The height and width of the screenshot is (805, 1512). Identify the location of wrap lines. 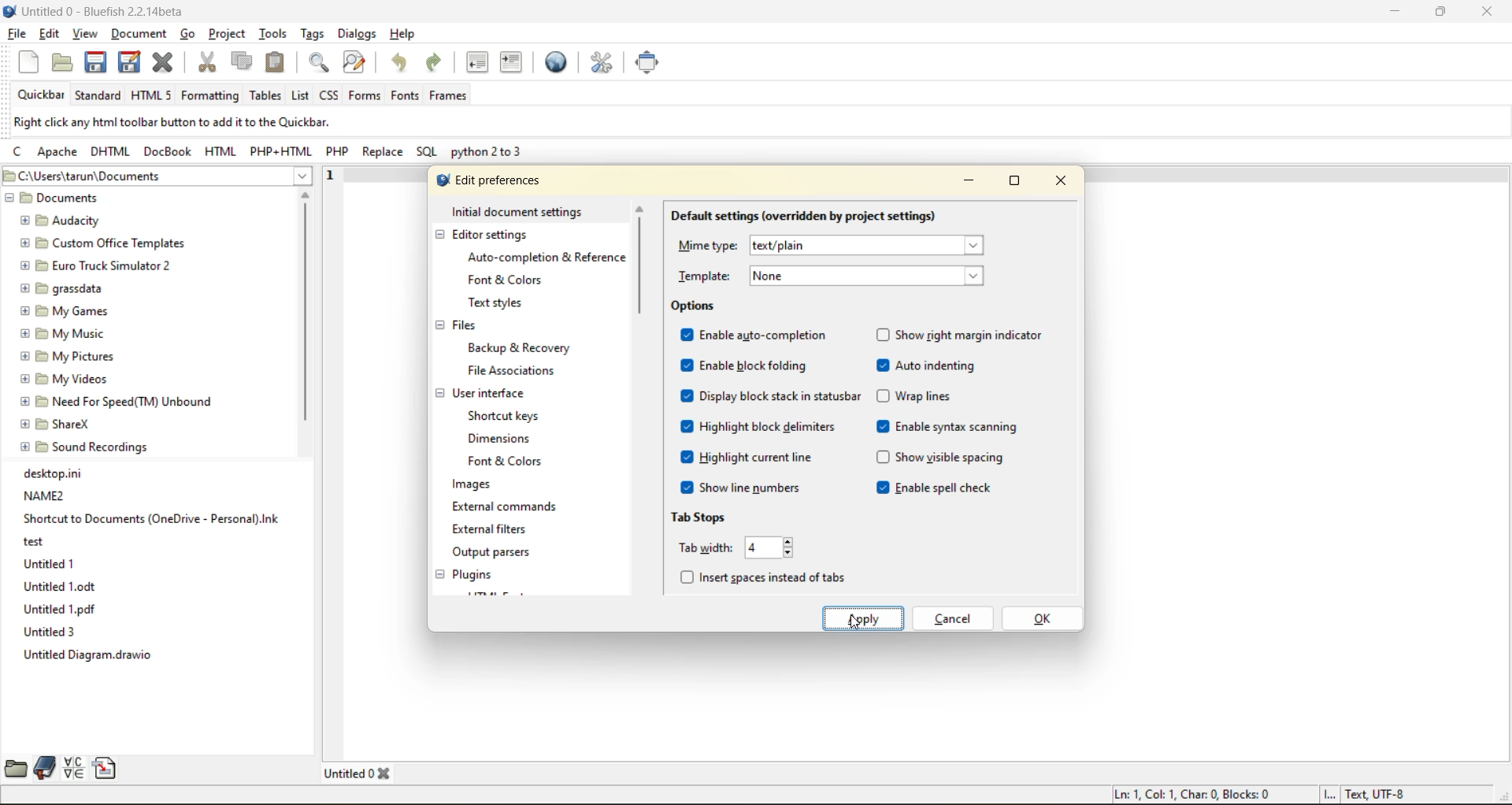
(917, 395).